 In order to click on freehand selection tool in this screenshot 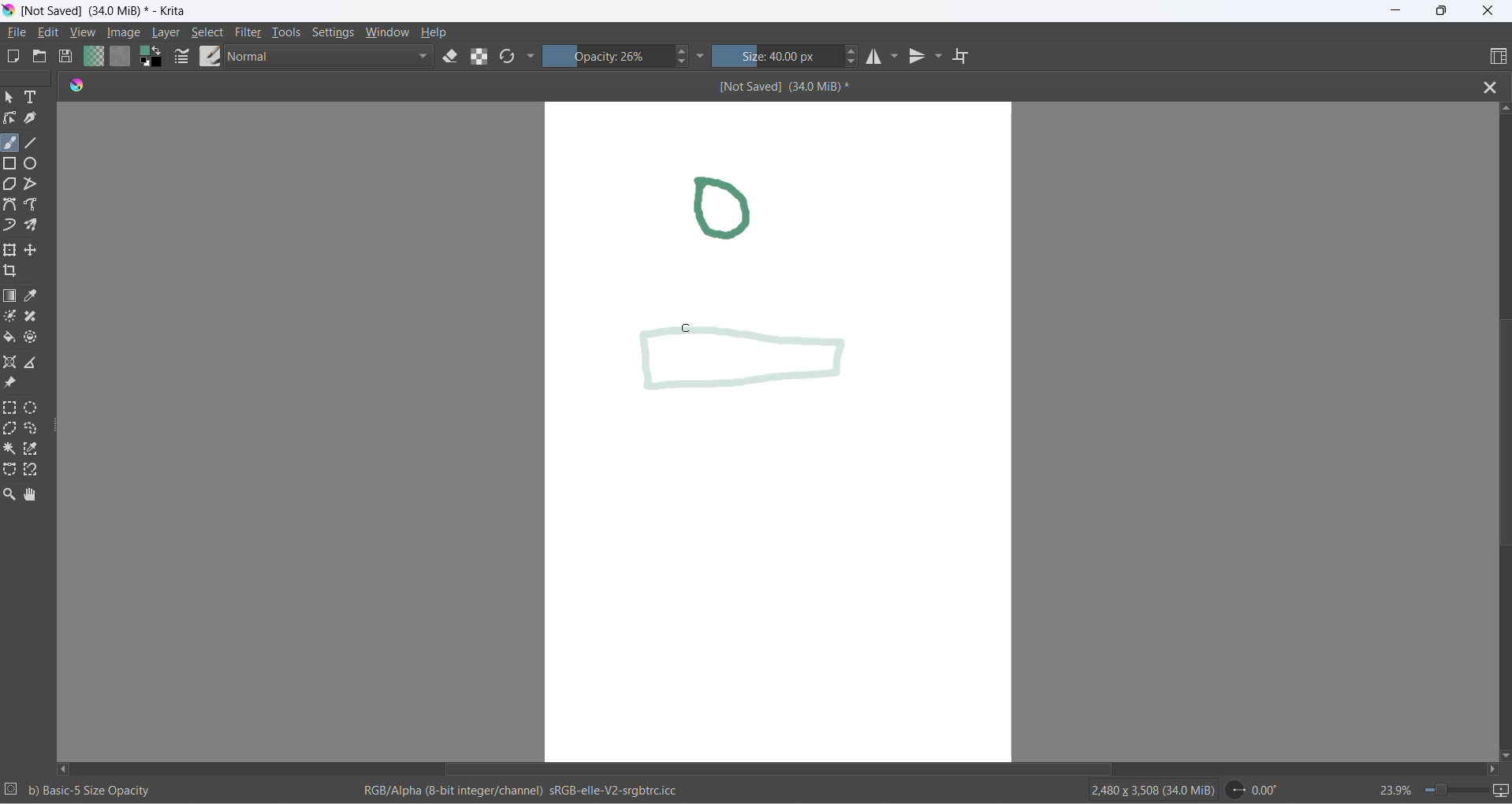, I will do `click(35, 429)`.